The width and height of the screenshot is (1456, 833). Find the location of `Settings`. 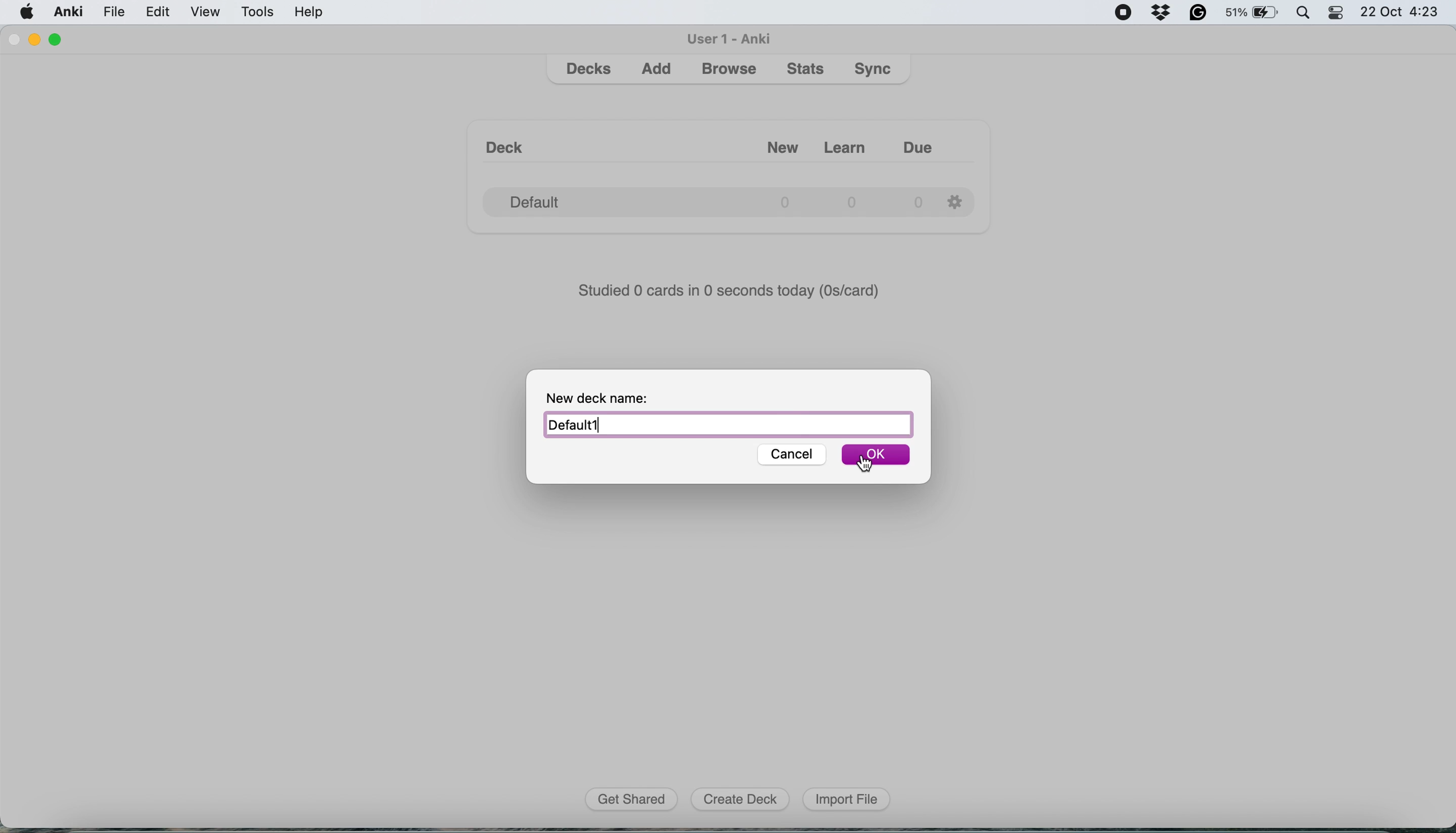

Settings is located at coordinates (958, 200).